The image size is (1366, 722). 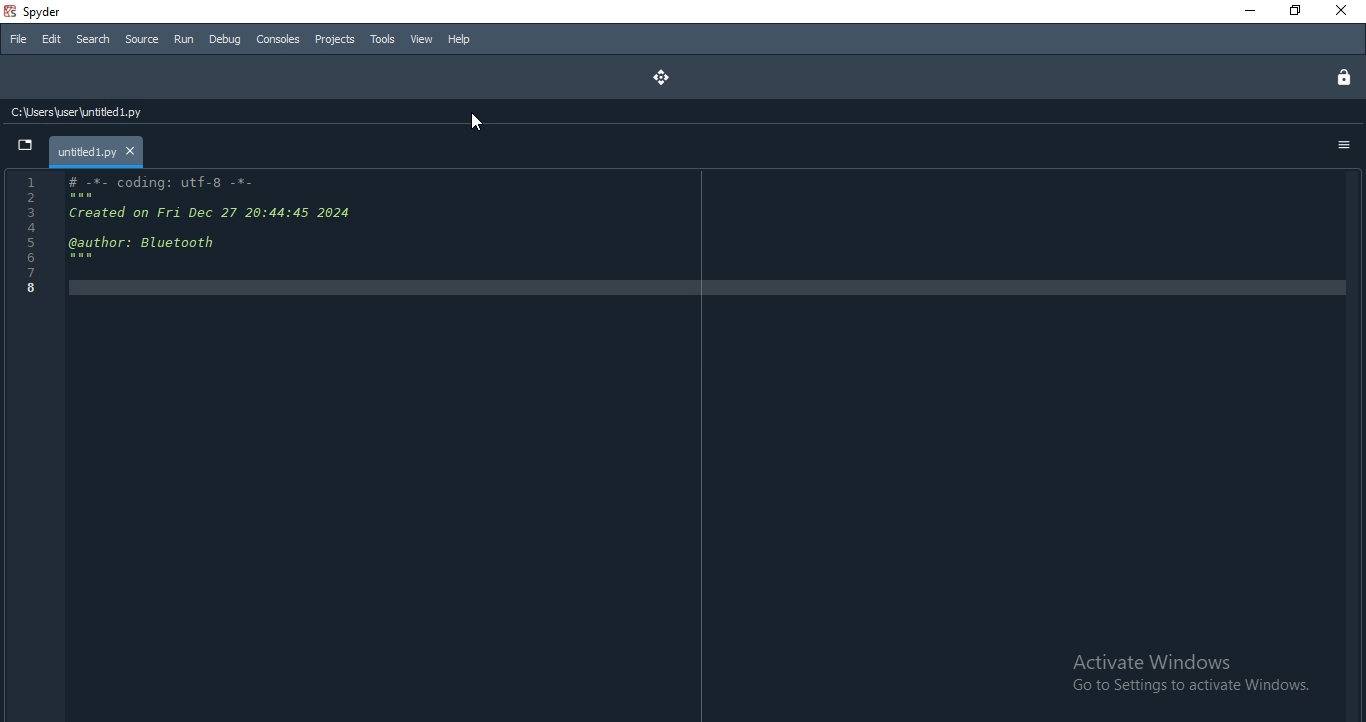 What do you see at coordinates (50, 40) in the screenshot?
I see `Edit` at bounding box center [50, 40].